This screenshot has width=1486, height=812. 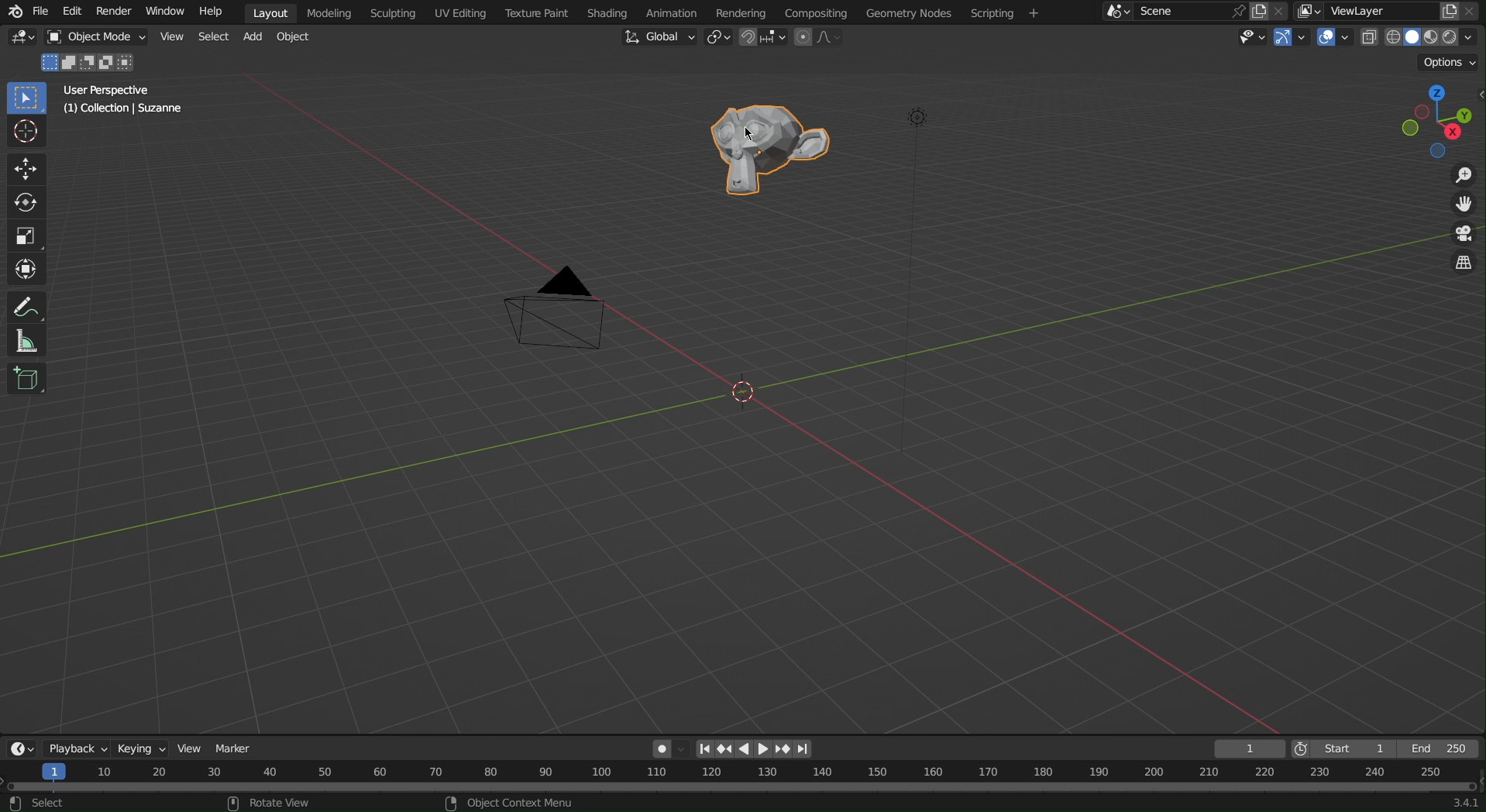 I want to click on View, so click(x=175, y=40).